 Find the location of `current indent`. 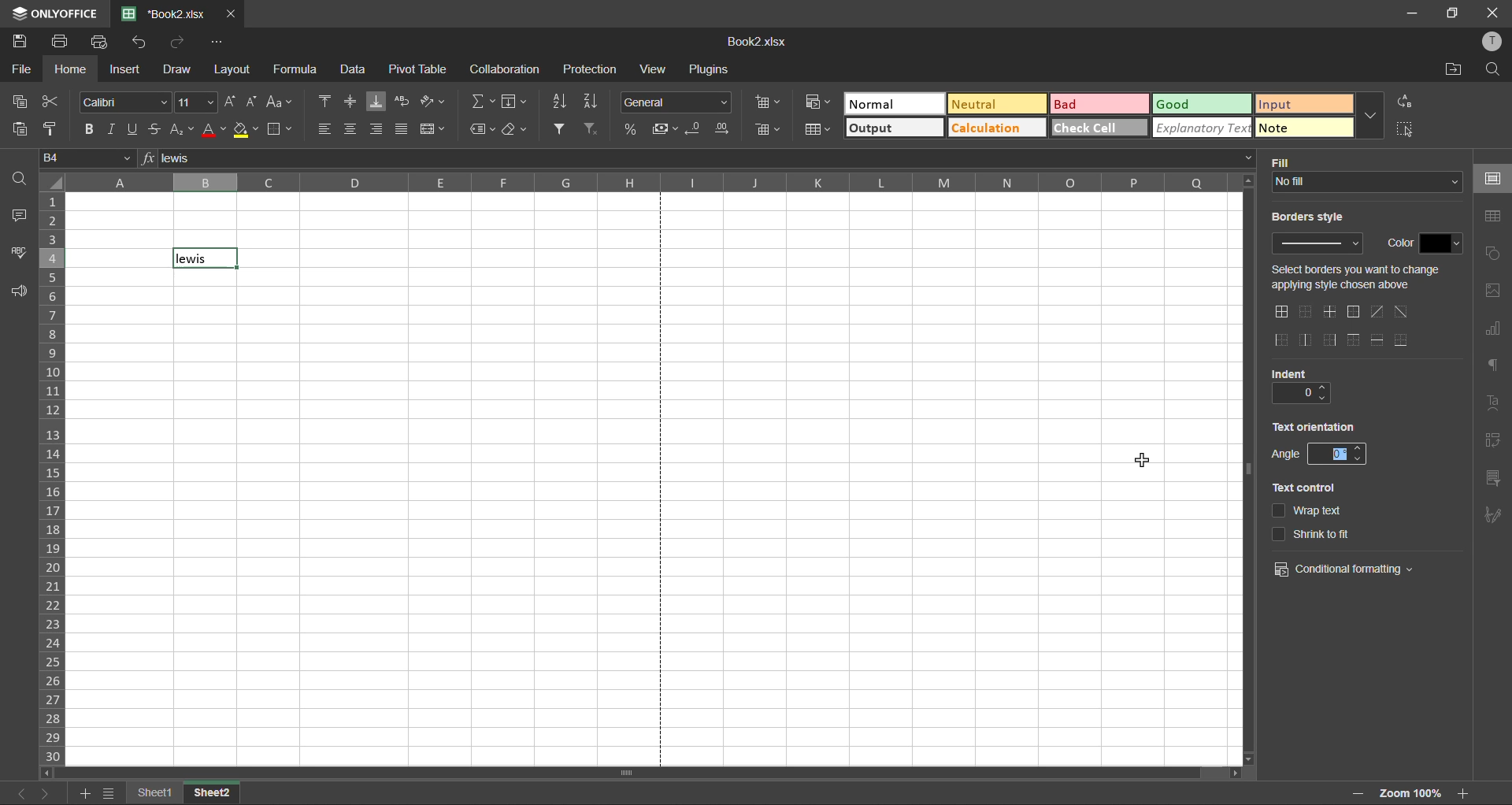

current indent is located at coordinates (1293, 394).